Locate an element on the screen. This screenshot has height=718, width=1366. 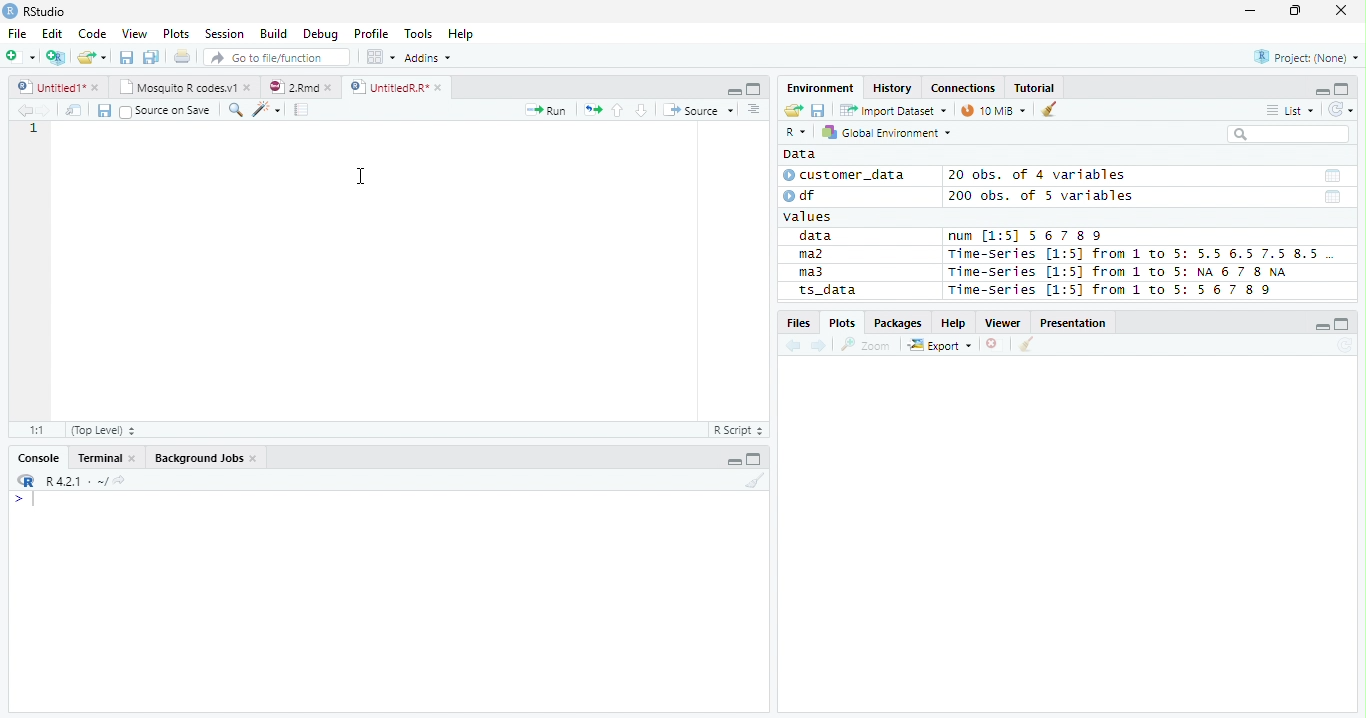
Data is located at coordinates (799, 154).